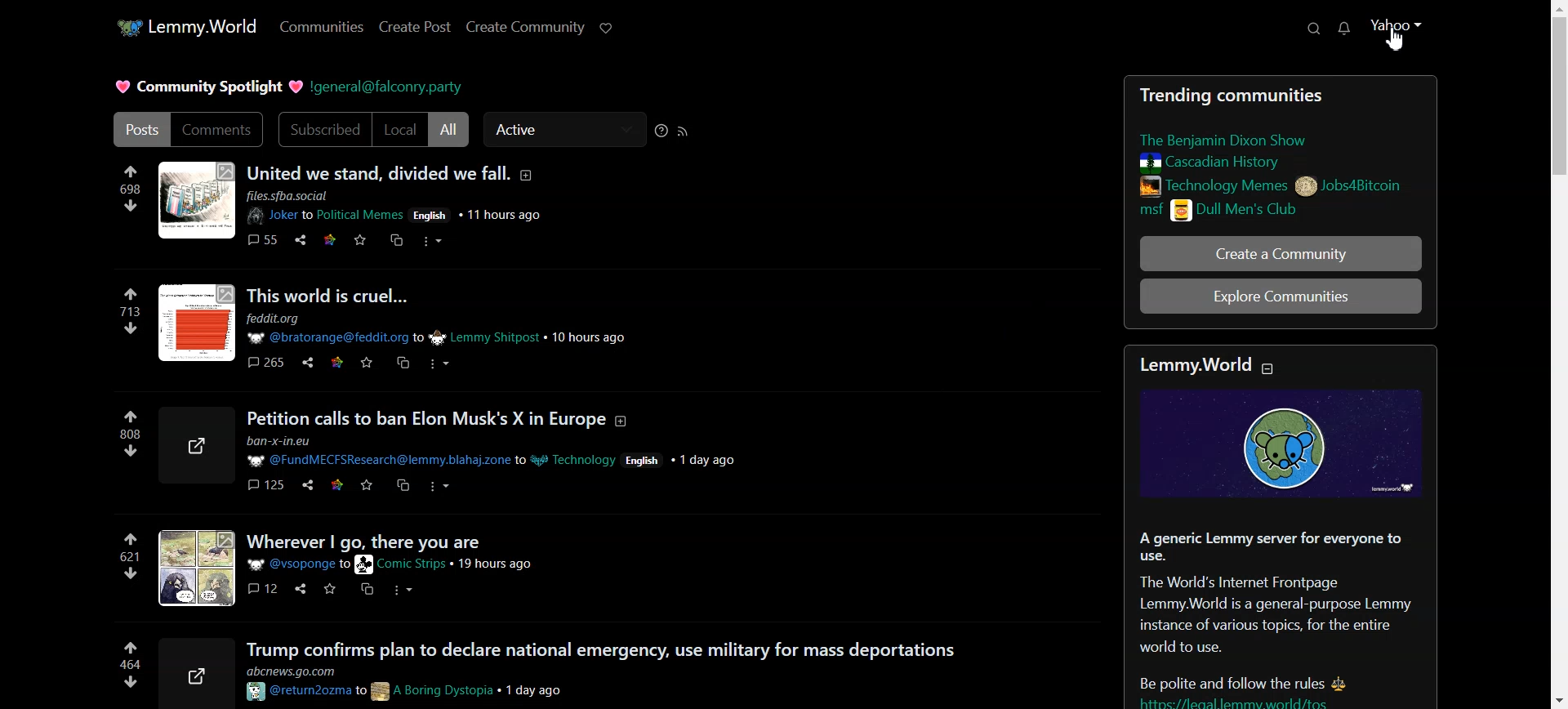 This screenshot has height=709, width=1568. Describe the element at coordinates (262, 592) in the screenshot. I see `comments` at that location.